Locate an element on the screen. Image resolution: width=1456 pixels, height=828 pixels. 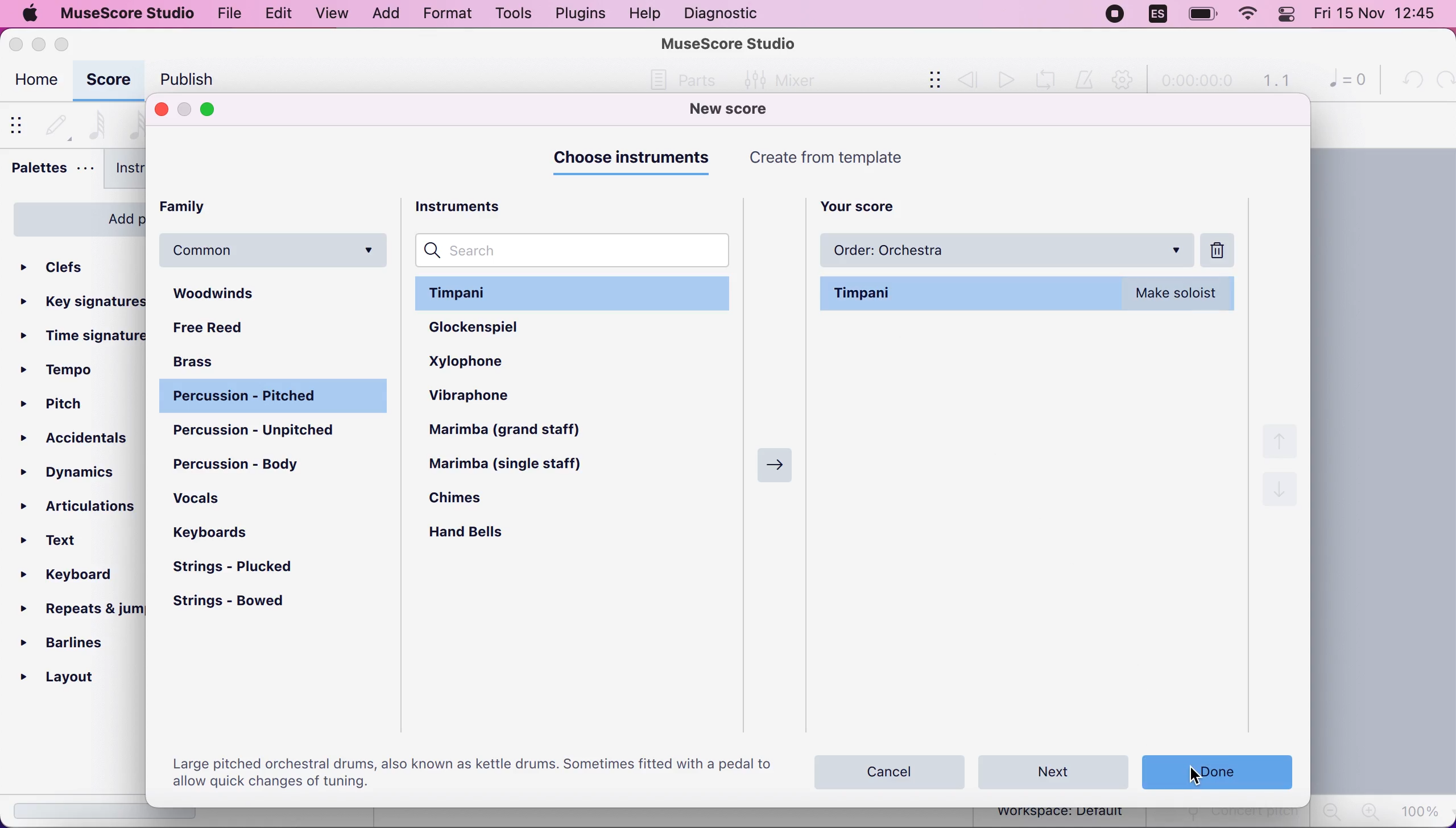
common is located at coordinates (276, 250).